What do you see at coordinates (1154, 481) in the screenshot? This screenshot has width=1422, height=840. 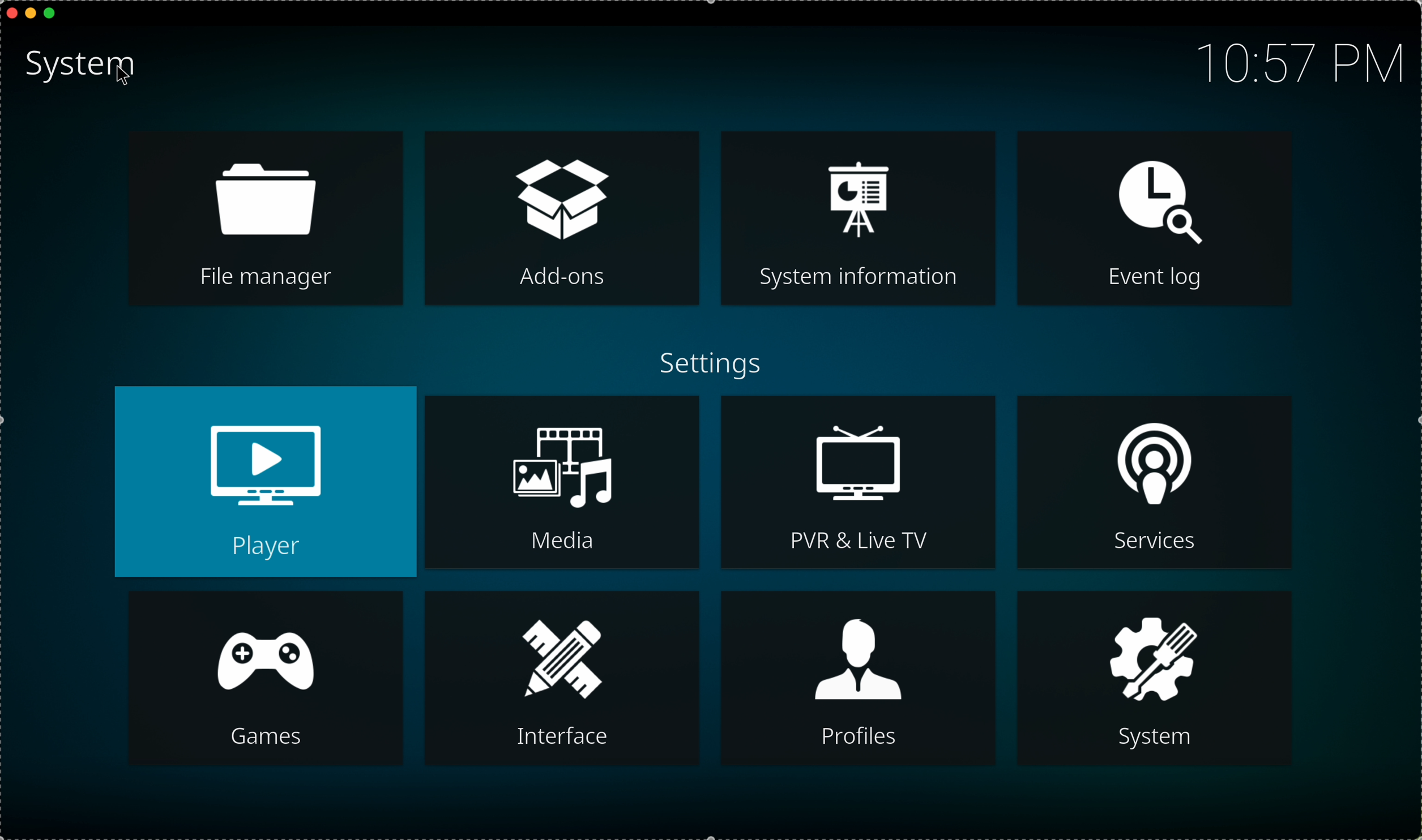 I see `services` at bounding box center [1154, 481].